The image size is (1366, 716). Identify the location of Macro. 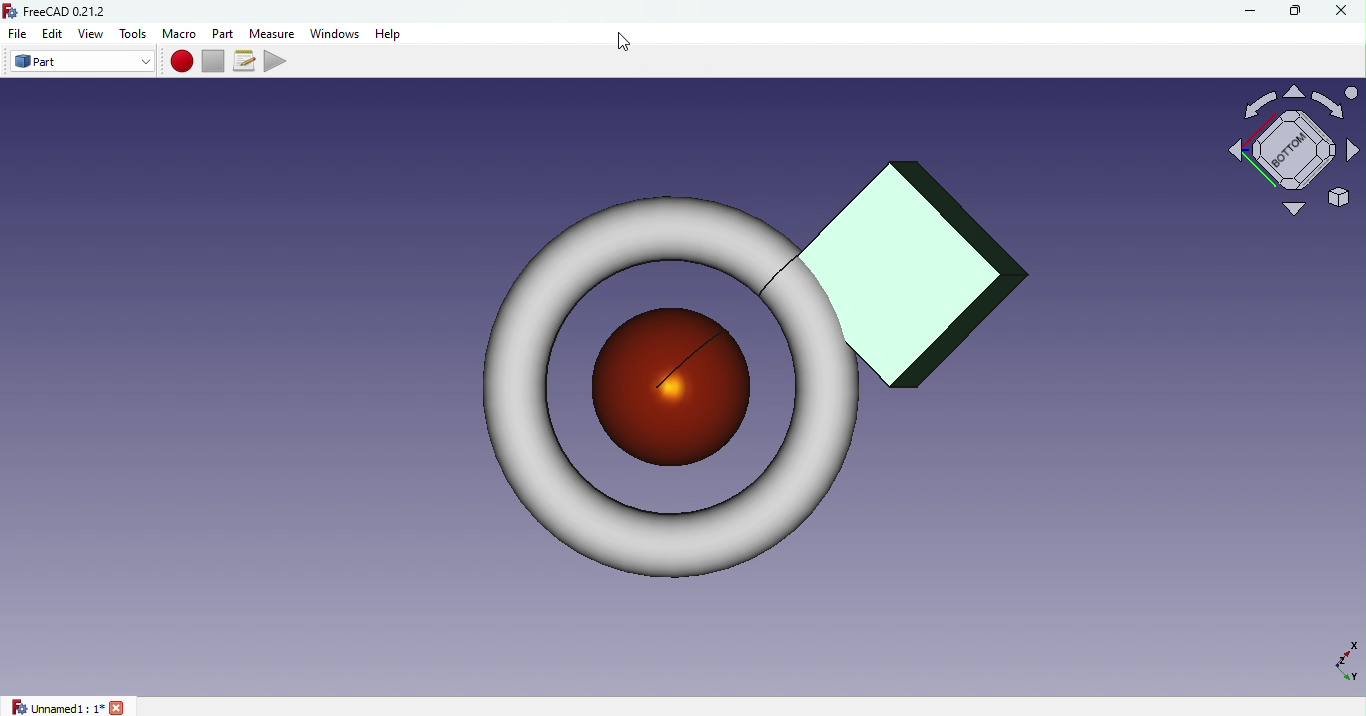
(181, 33).